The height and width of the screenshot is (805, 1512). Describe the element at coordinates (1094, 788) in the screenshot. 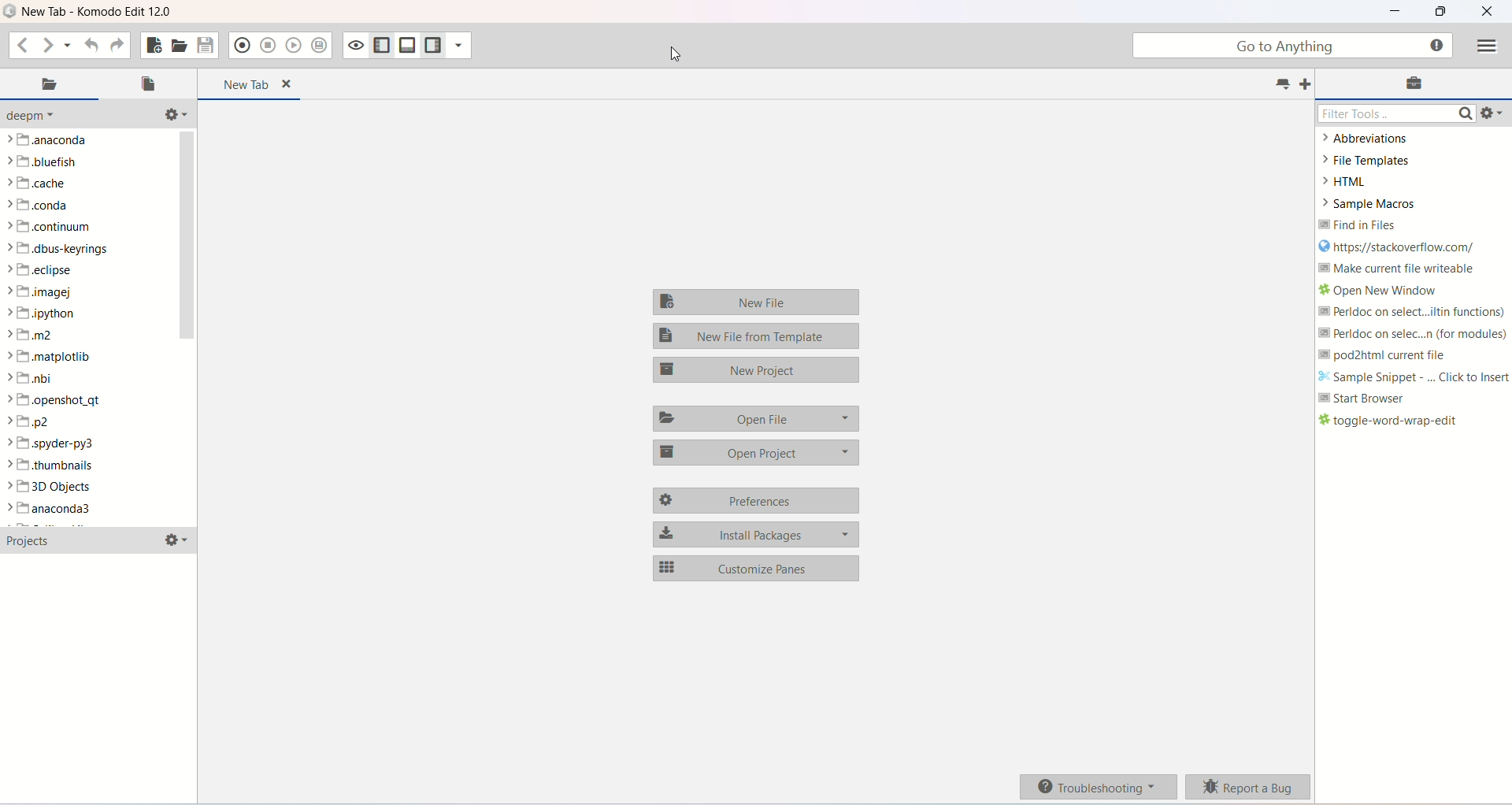

I see `troubleshooting` at that location.